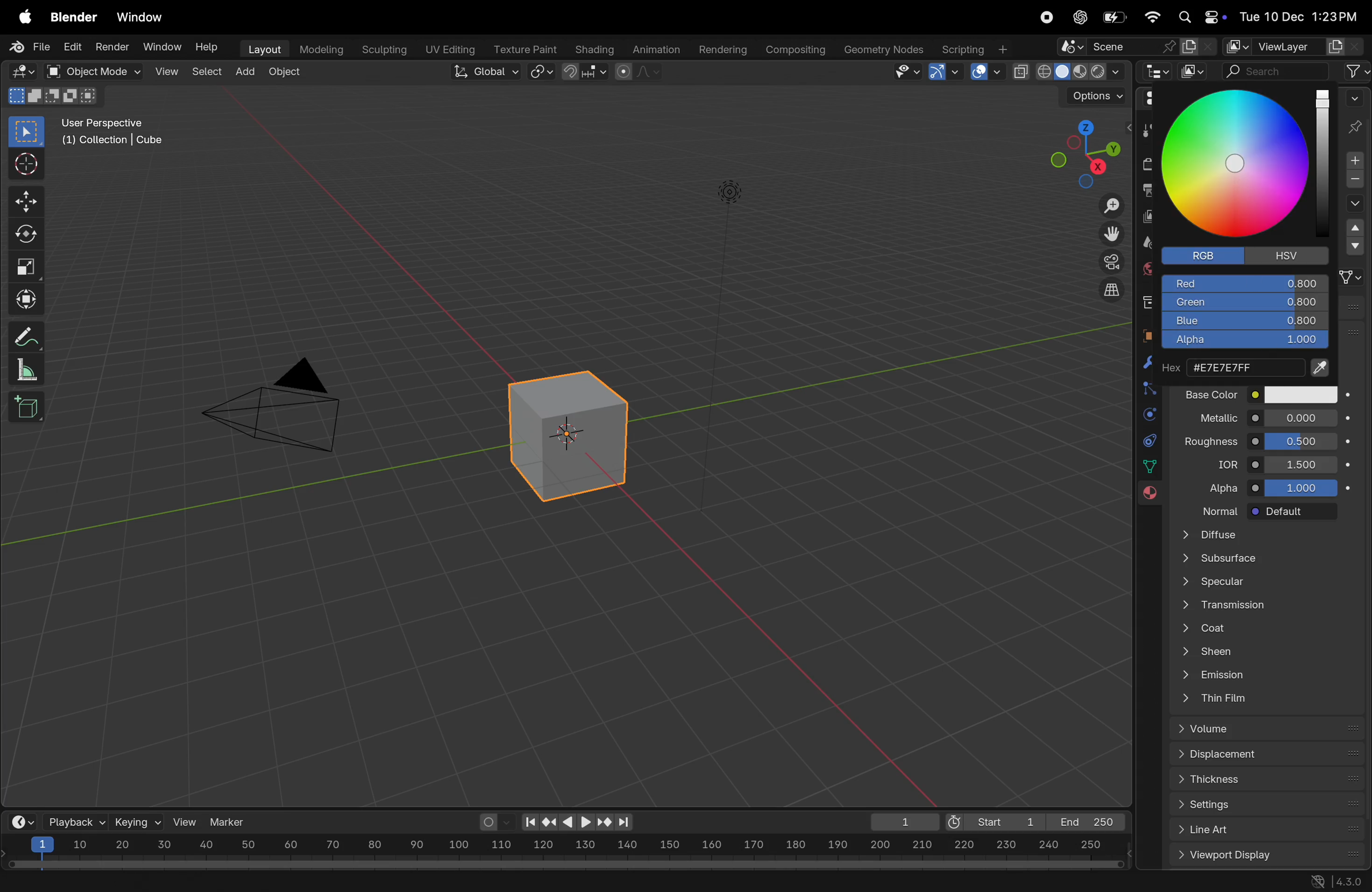 This screenshot has height=892, width=1372. What do you see at coordinates (1262, 831) in the screenshot?
I see `list art` at bounding box center [1262, 831].